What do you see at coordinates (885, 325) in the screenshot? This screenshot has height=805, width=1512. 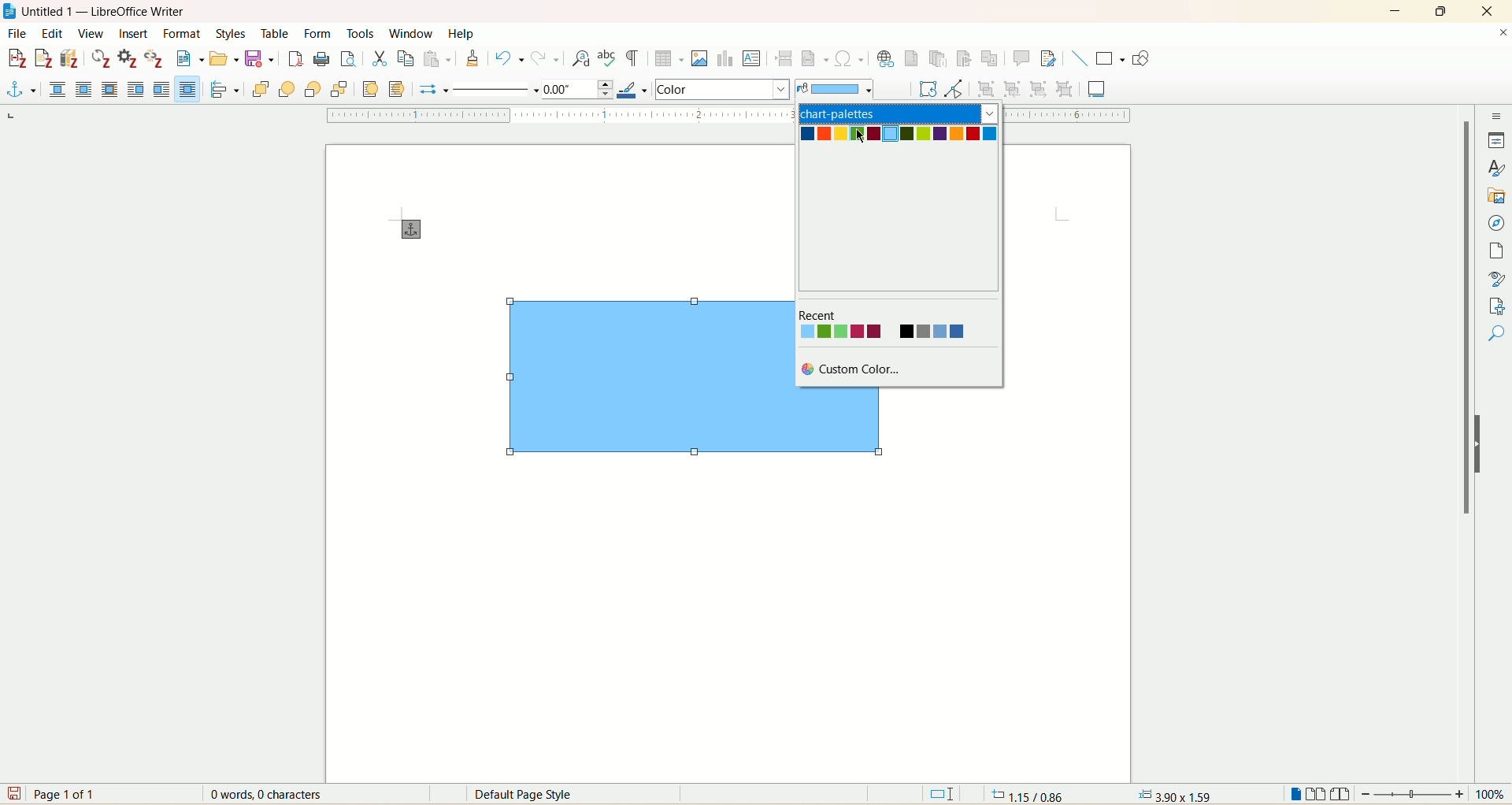 I see `recent color` at bounding box center [885, 325].